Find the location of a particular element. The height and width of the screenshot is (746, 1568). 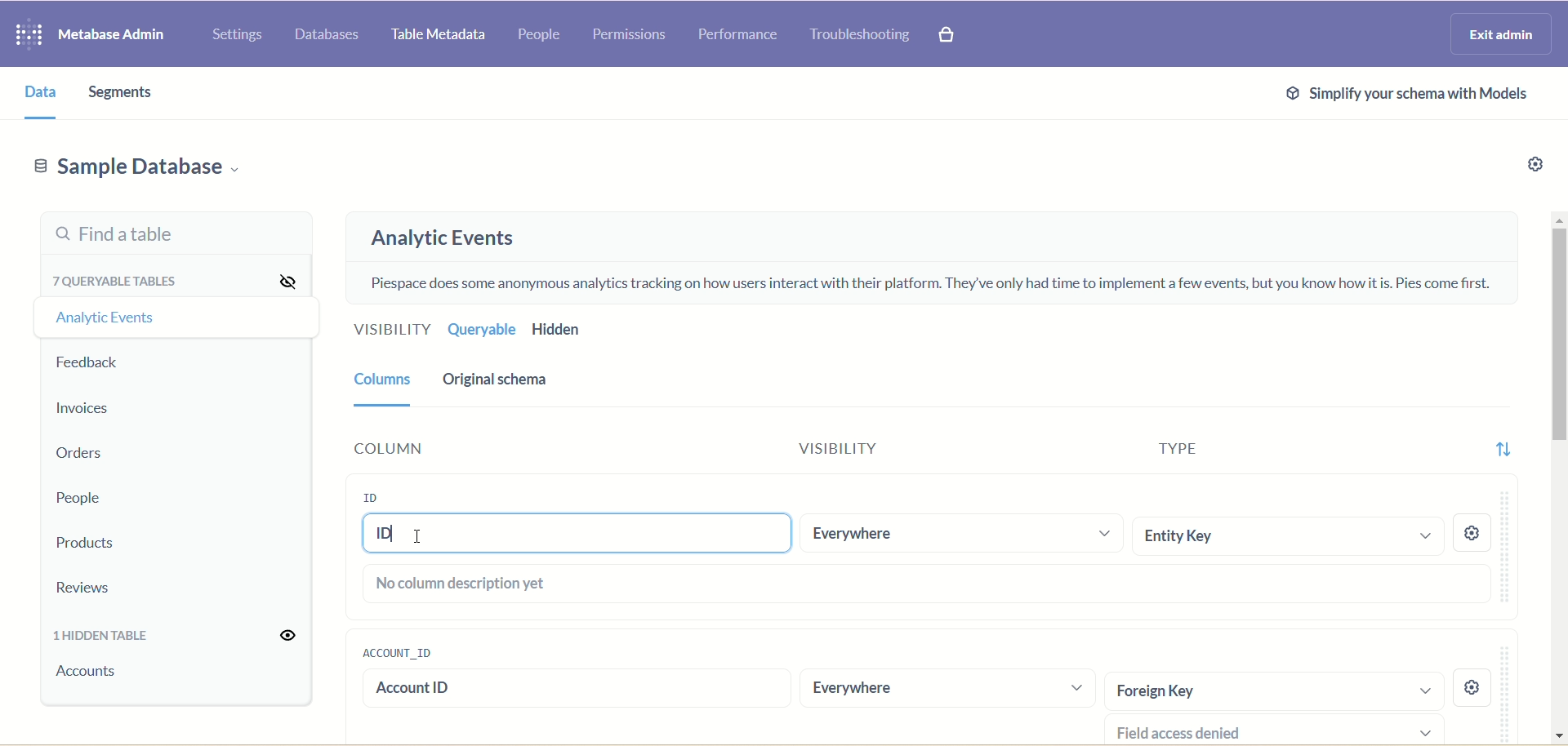

Settings is located at coordinates (1539, 162).